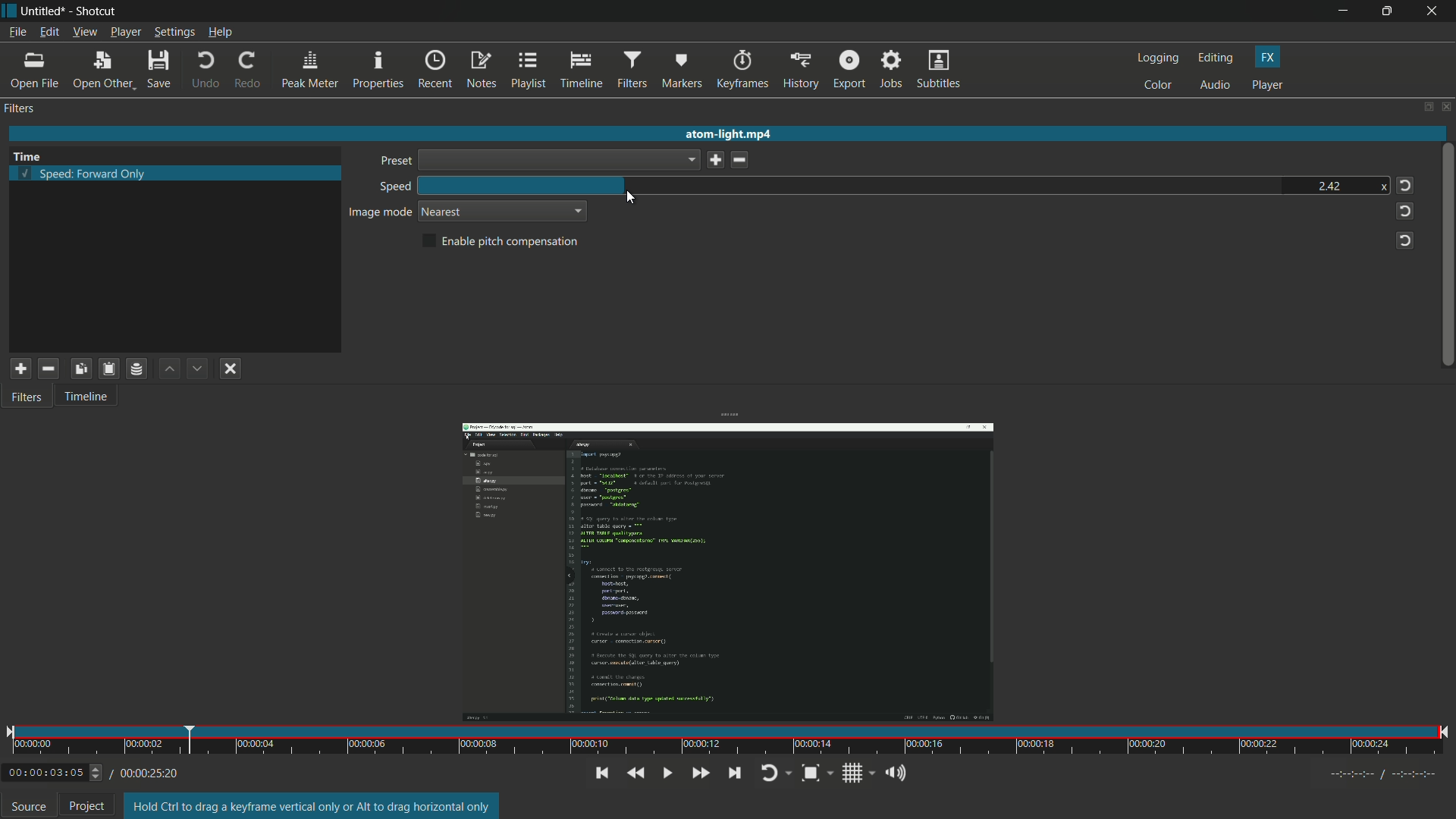 The image size is (1456, 819). Describe the element at coordinates (895, 774) in the screenshot. I see `show volume  control` at that location.